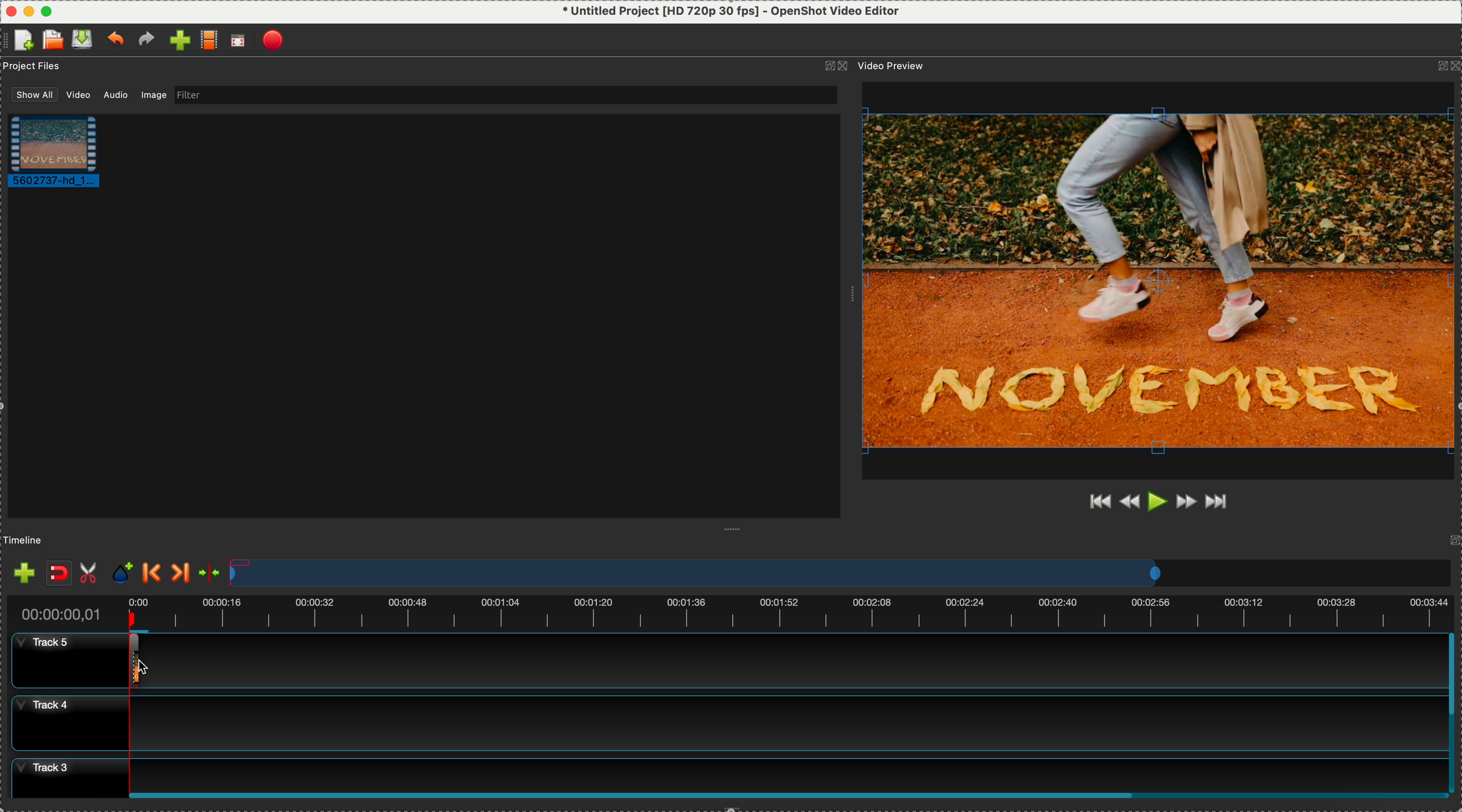  What do you see at coordinates (728, 610) in the screenshot?
I see `timeline duration` at bounding box center [728, 610].